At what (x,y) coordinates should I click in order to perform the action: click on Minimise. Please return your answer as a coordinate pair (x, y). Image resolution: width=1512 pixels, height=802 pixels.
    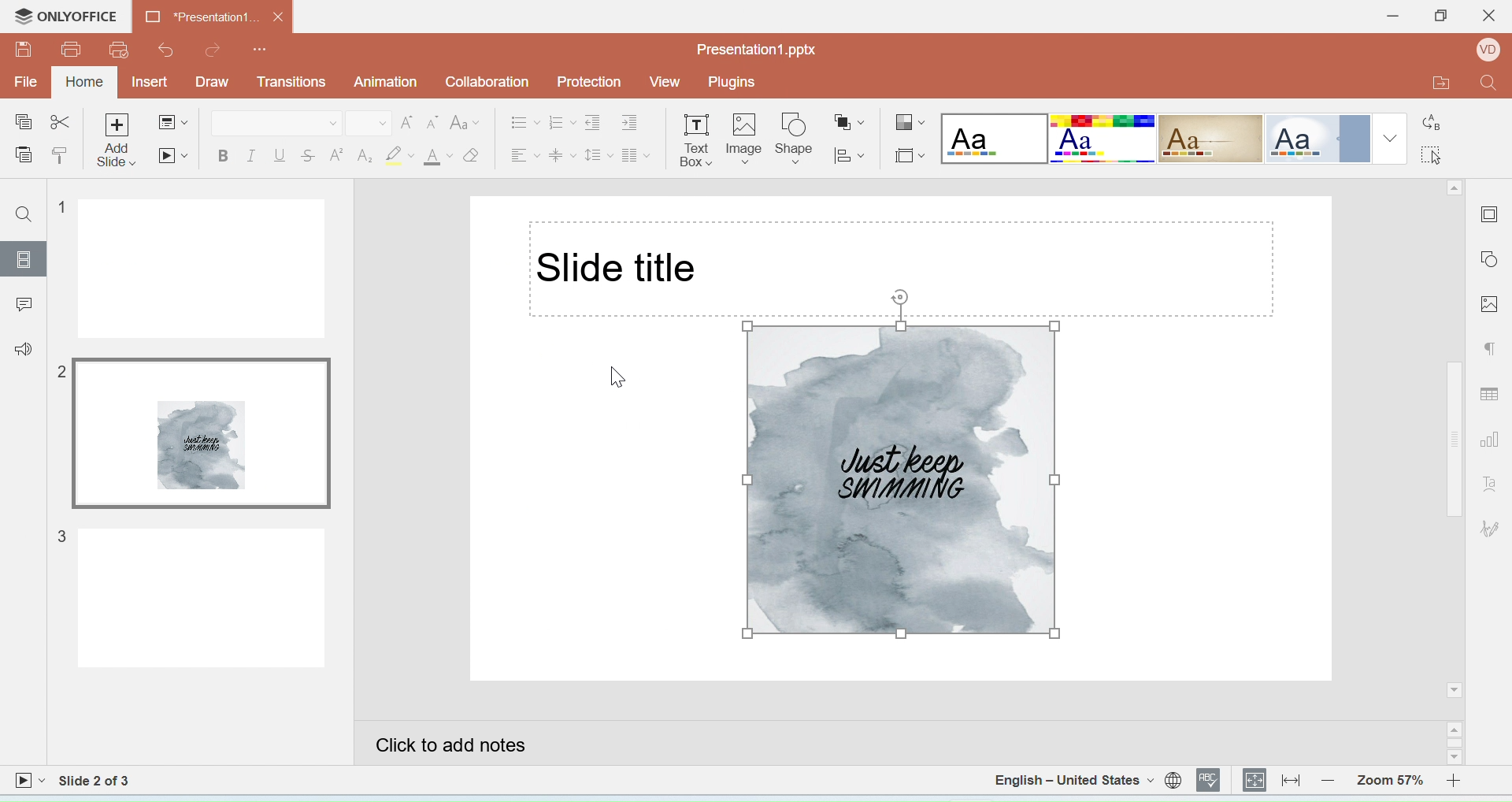
    Looking at the image, I should click on (1387, 17).